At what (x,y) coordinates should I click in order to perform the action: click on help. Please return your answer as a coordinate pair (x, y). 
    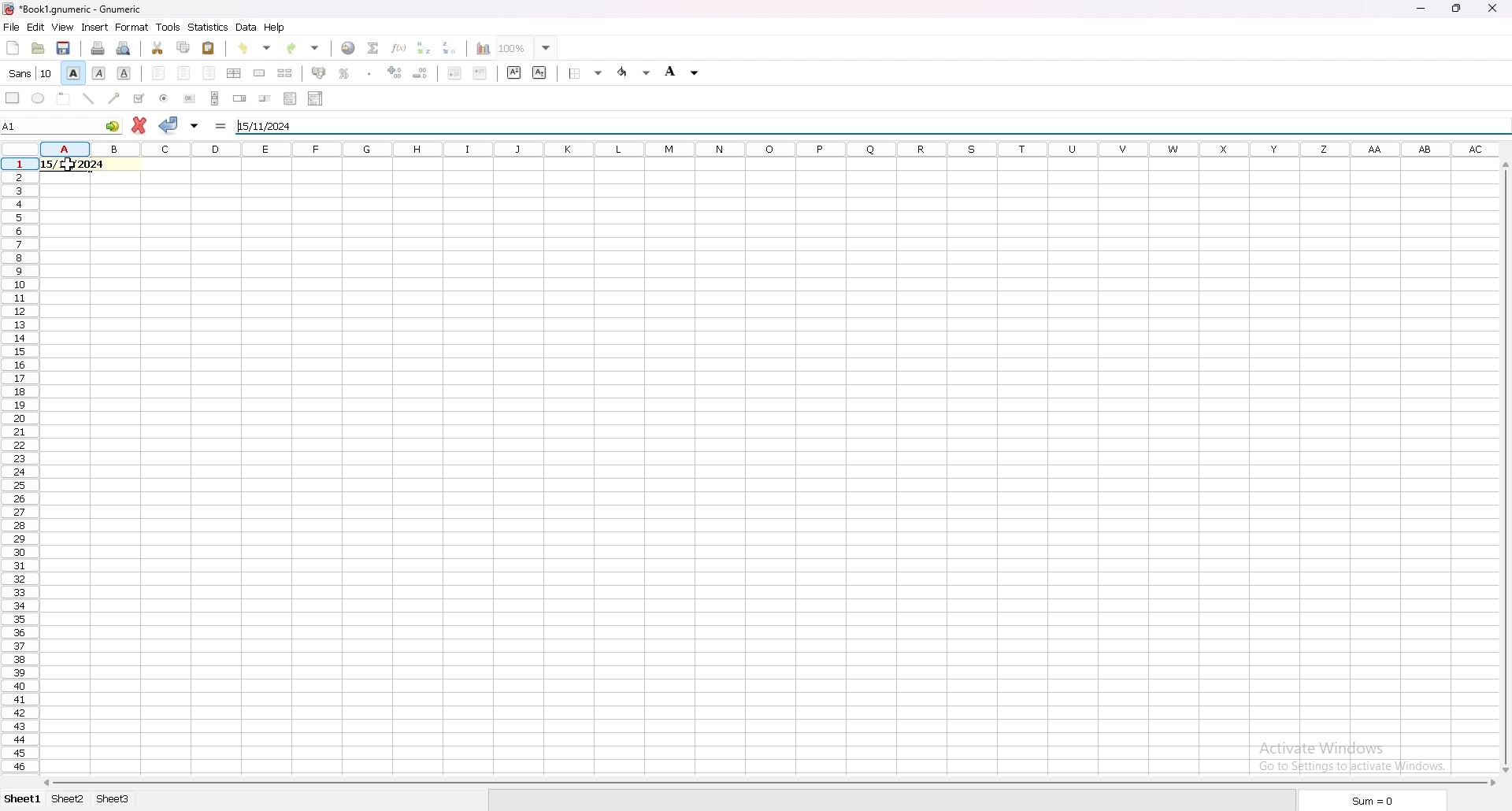
    Looking at the image, I should click on (276, 28).